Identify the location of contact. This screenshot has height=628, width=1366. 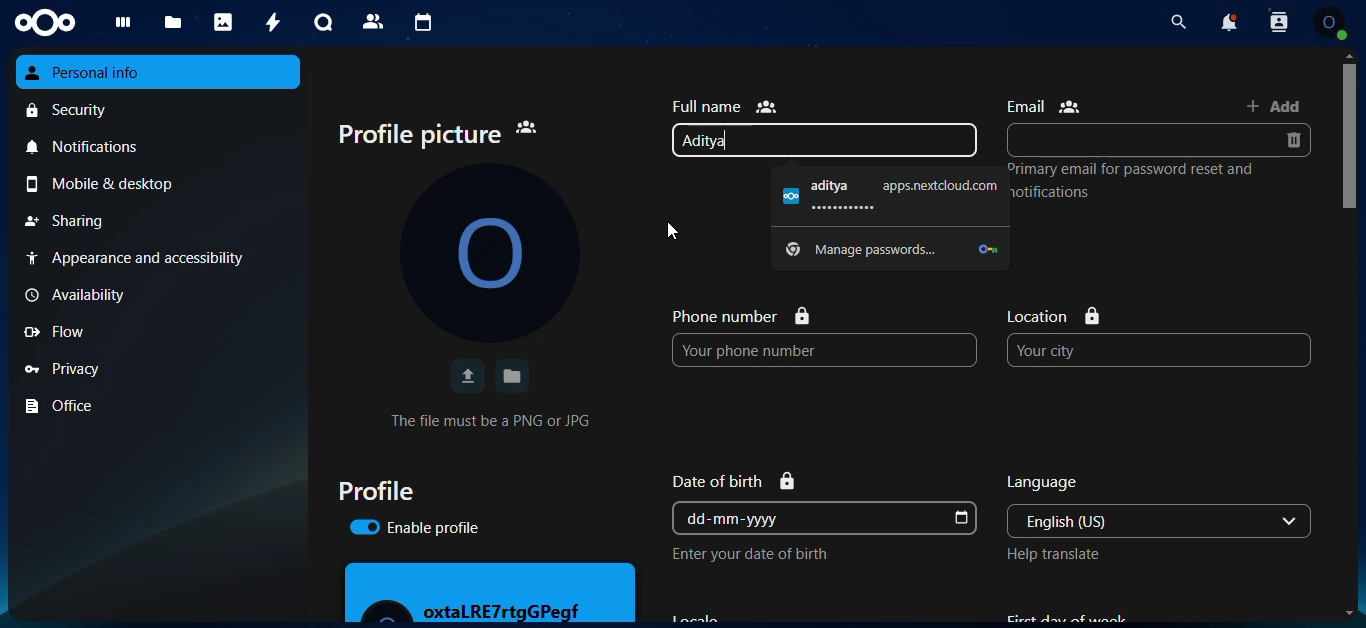
(1278, 22).